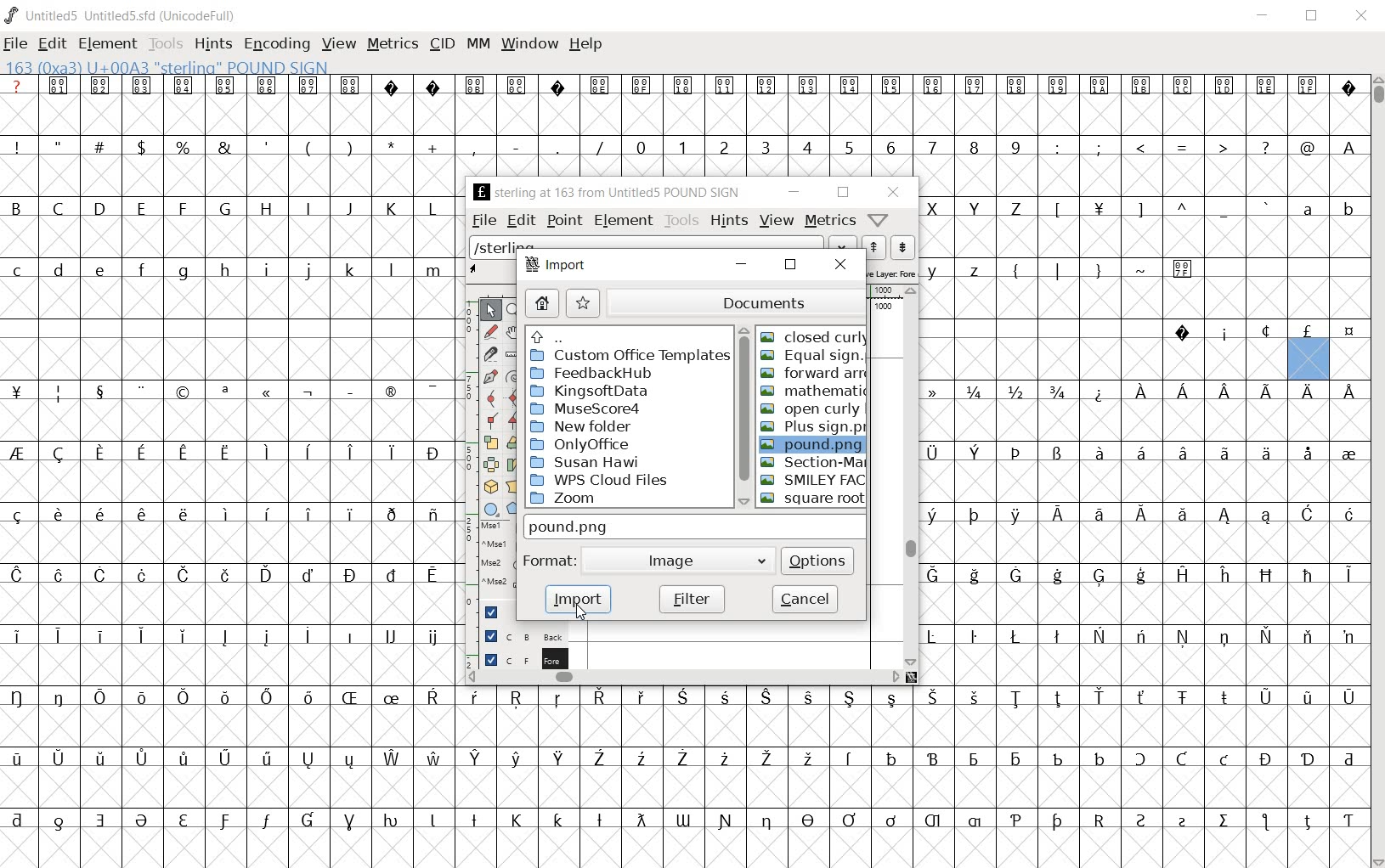  I want to click on Symbol, so click(1057, 454).